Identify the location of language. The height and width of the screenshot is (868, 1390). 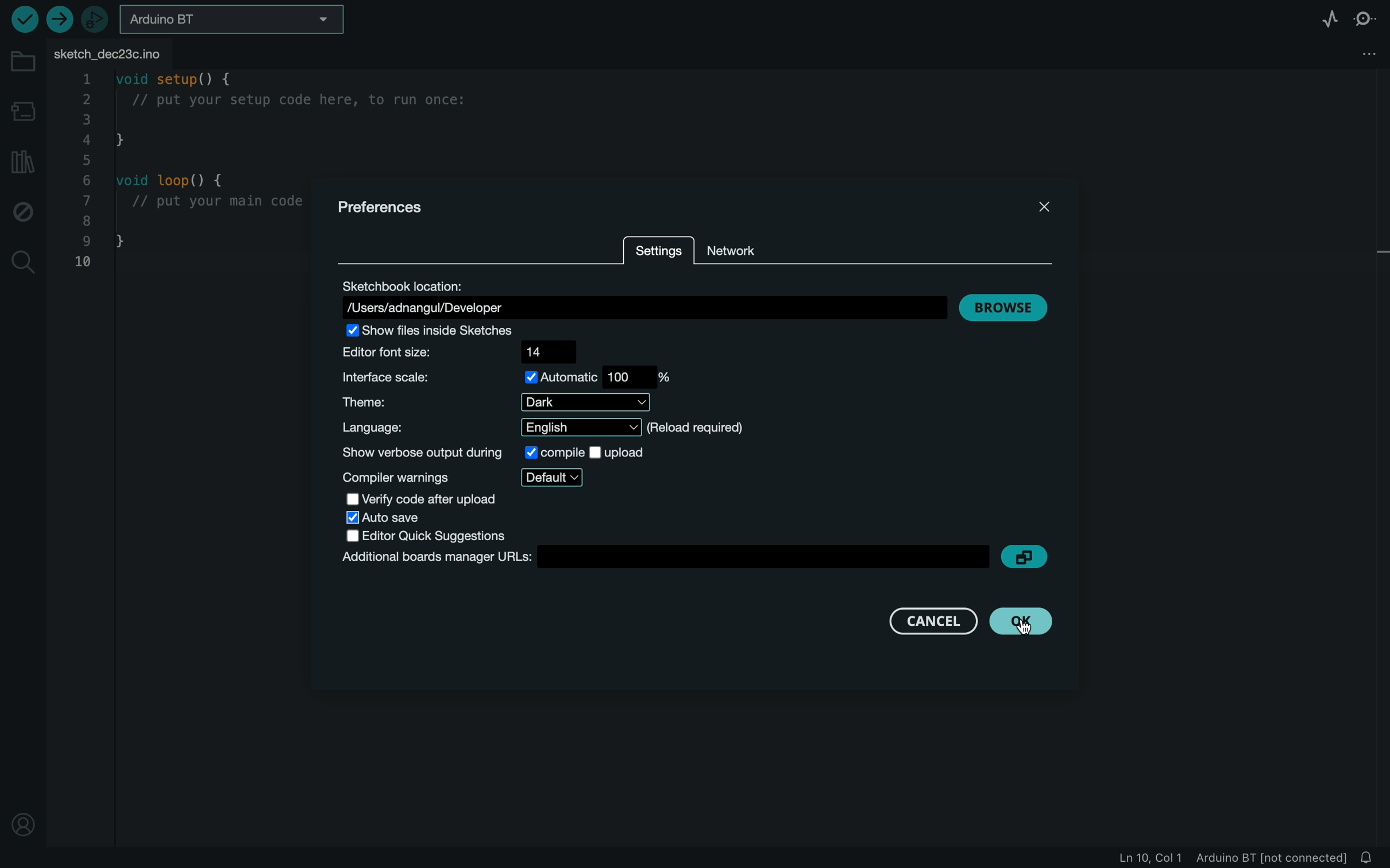
(549, 428).